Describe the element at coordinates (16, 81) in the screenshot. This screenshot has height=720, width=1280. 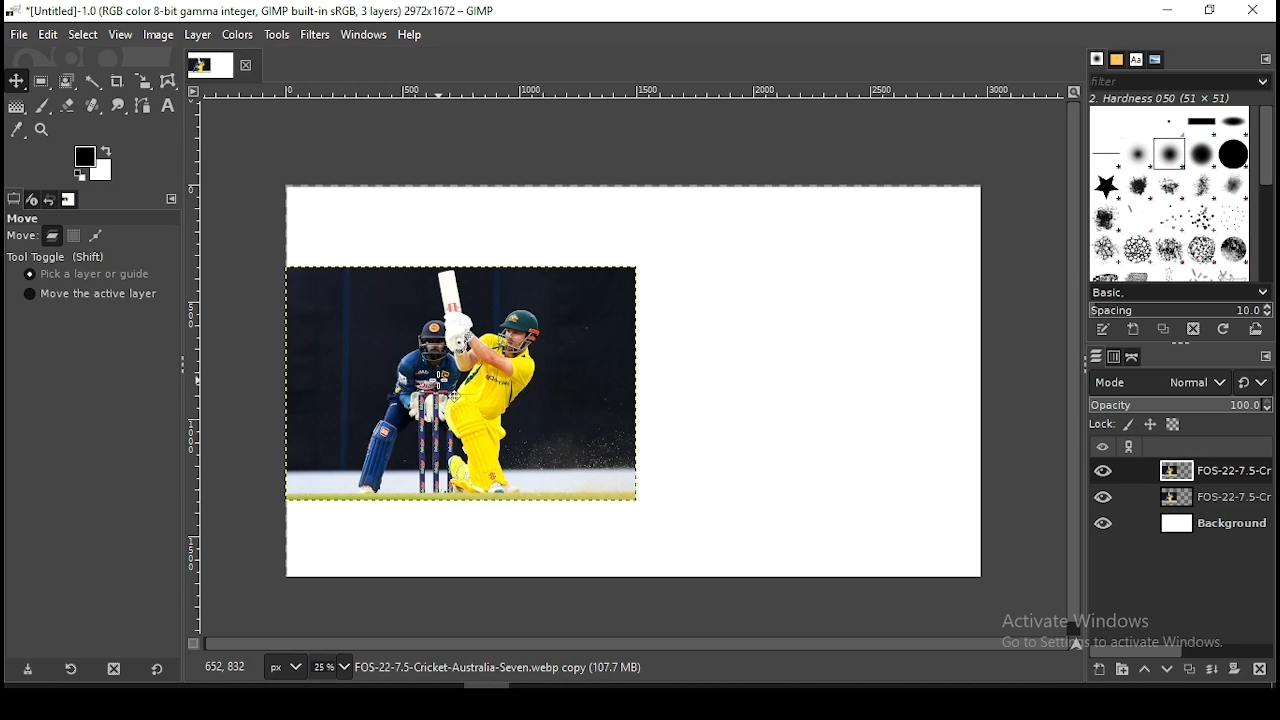
I see `move tool` at that location.